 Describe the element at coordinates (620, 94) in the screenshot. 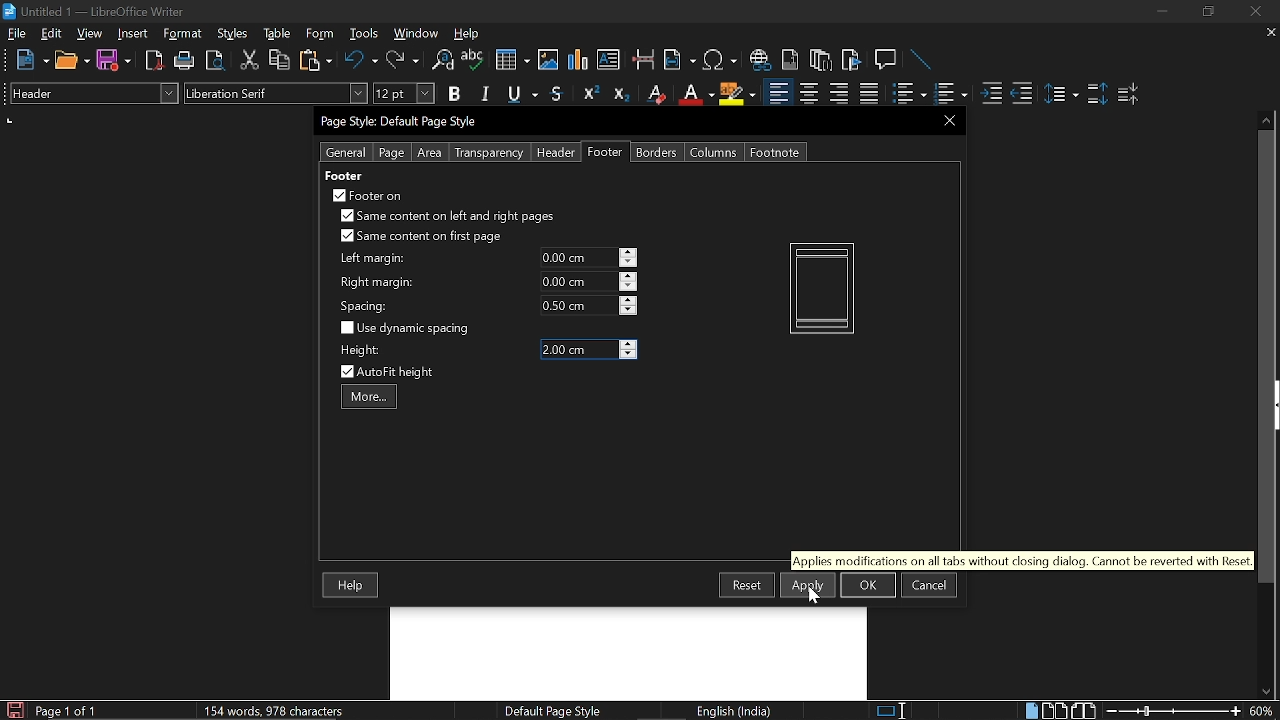

I see `Subscript` at that location.